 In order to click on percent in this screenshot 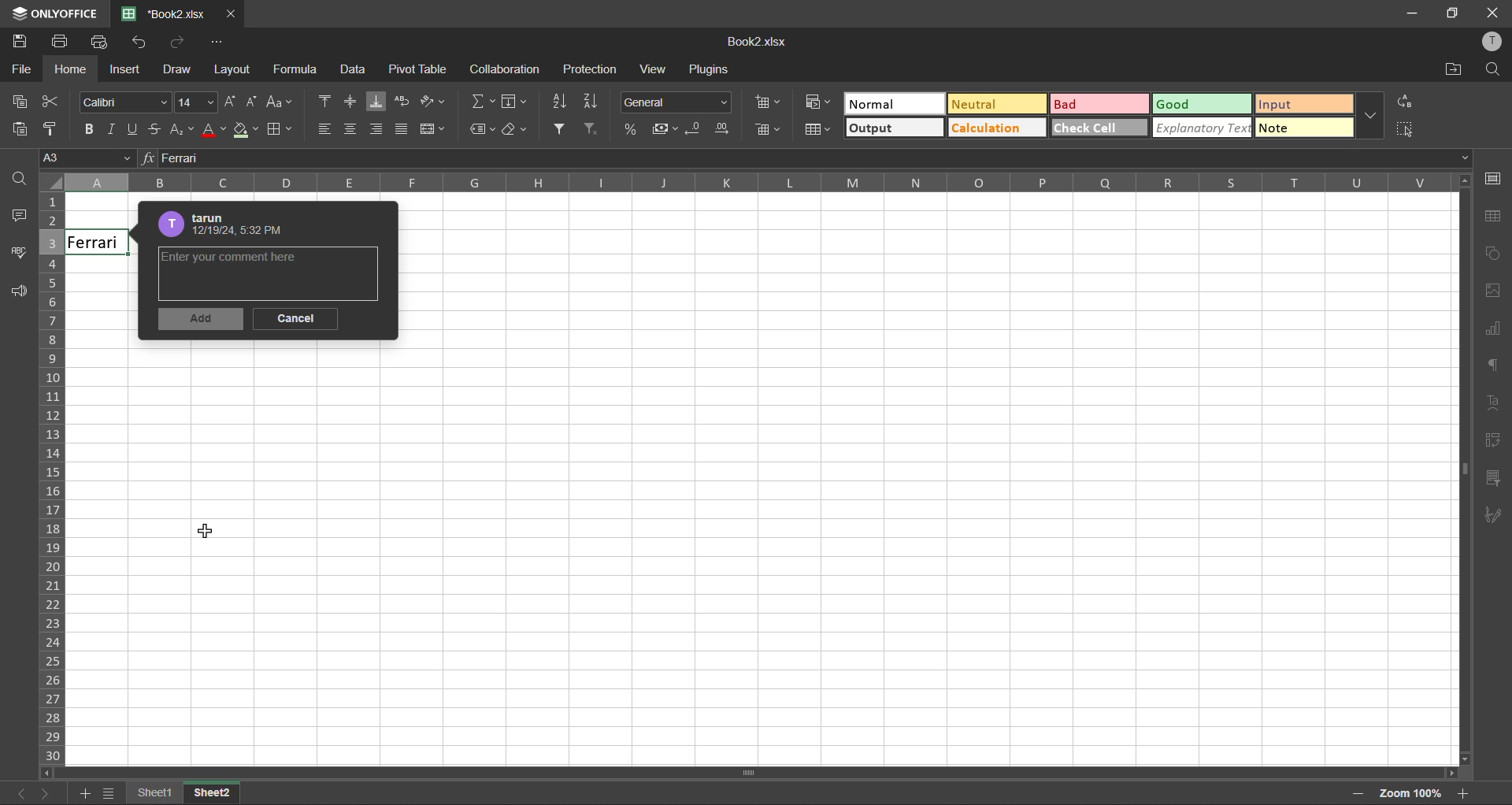, I will do `click(633, 129)`.